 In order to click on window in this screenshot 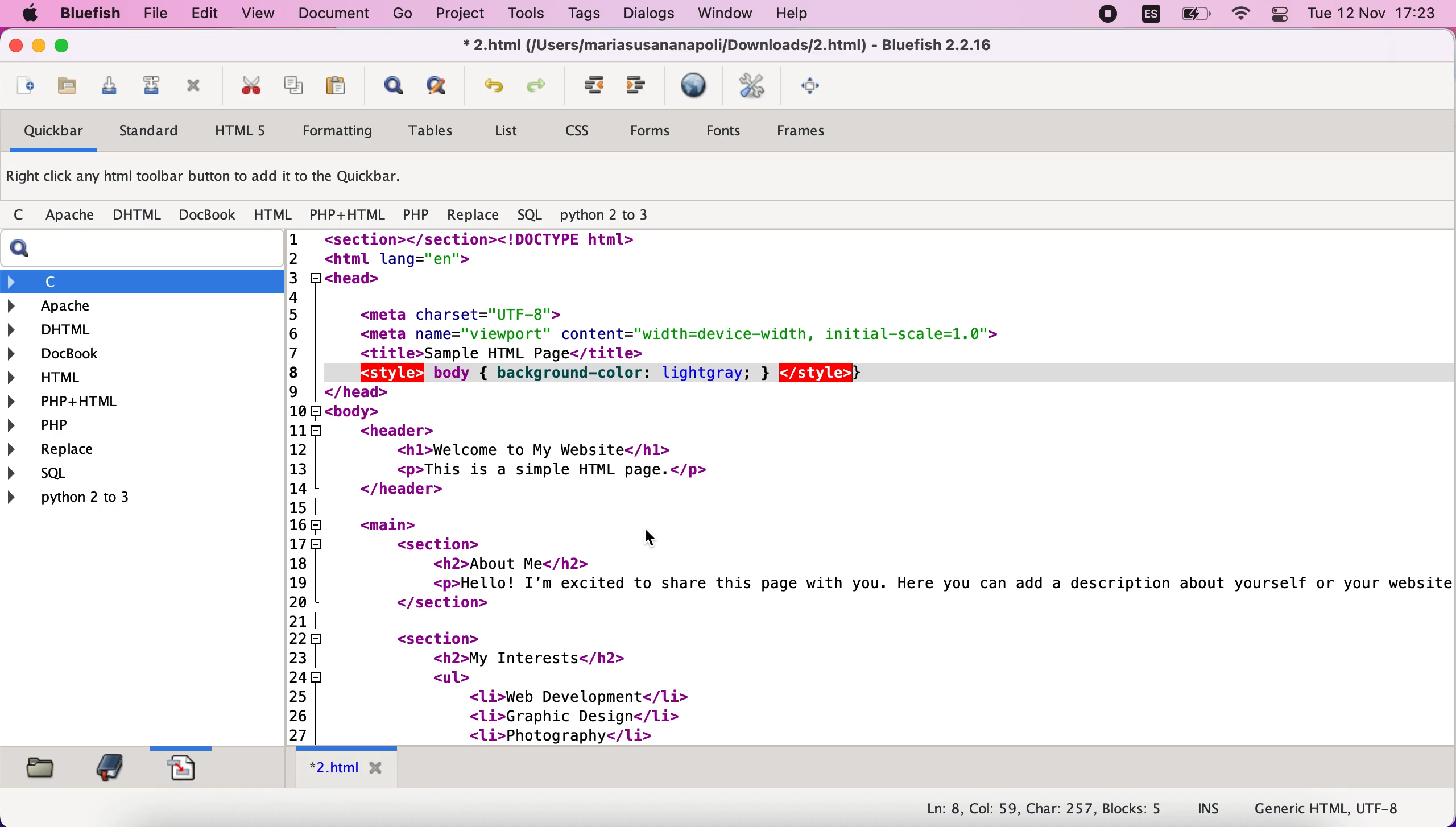, I will do `click(728, 15)`.